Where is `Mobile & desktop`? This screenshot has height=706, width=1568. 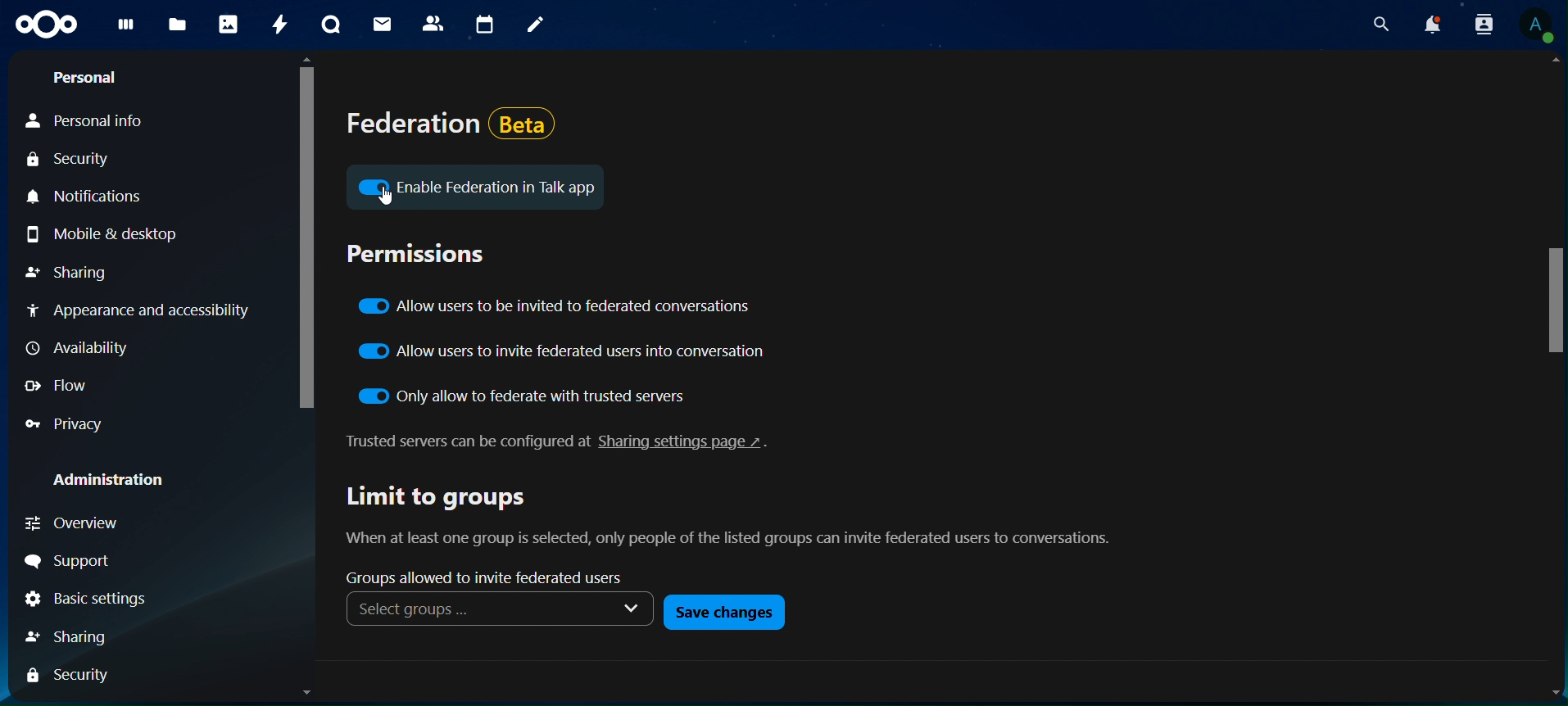 Mobile & desktop is located at coordinates (115, 237).